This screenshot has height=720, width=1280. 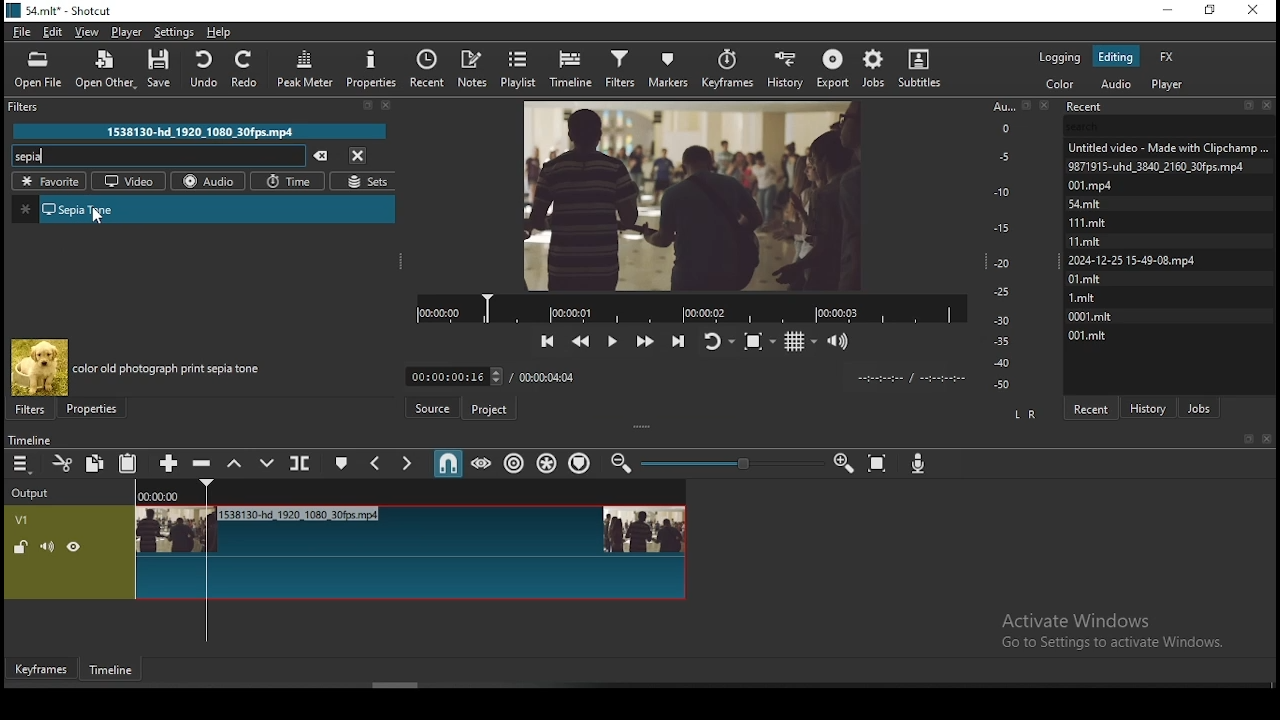 I want to click on audio, so click(x=211, y=181).